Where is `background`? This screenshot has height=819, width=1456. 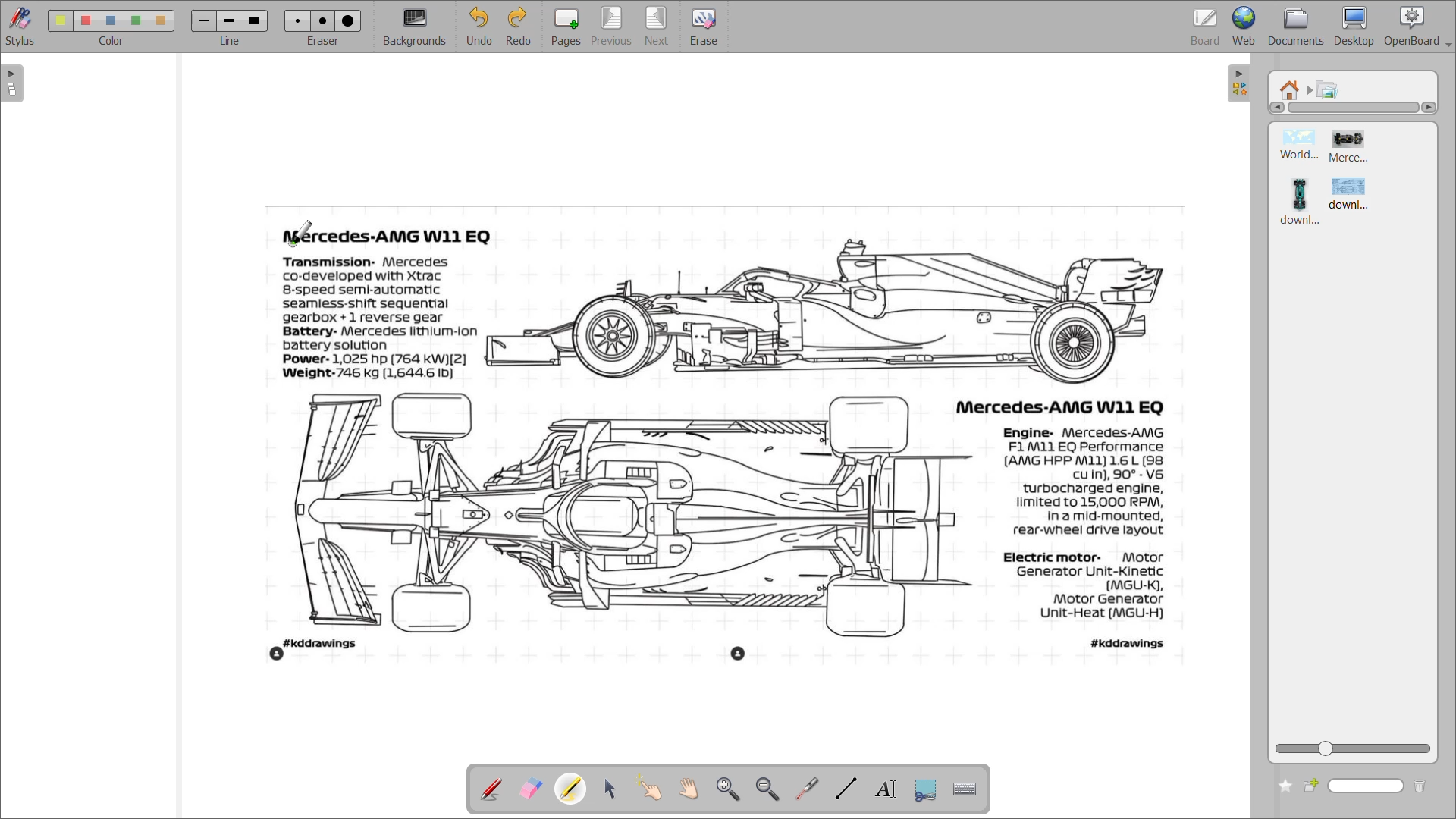 background is located at coordinates (417, 27).